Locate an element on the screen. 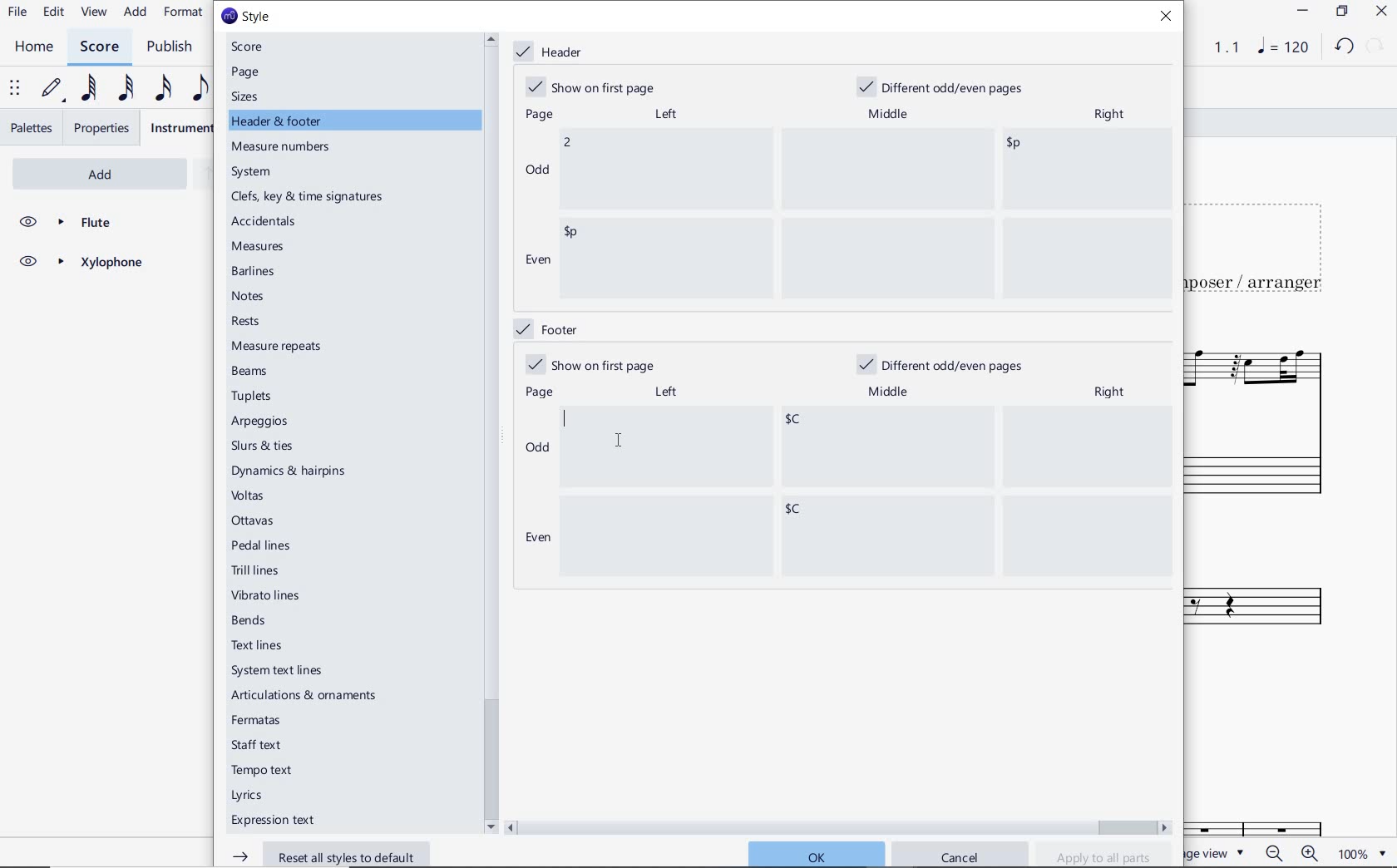 The height and width of the screenshot is (868, 1397). zoom factor is located at coordinates (1360, 853).